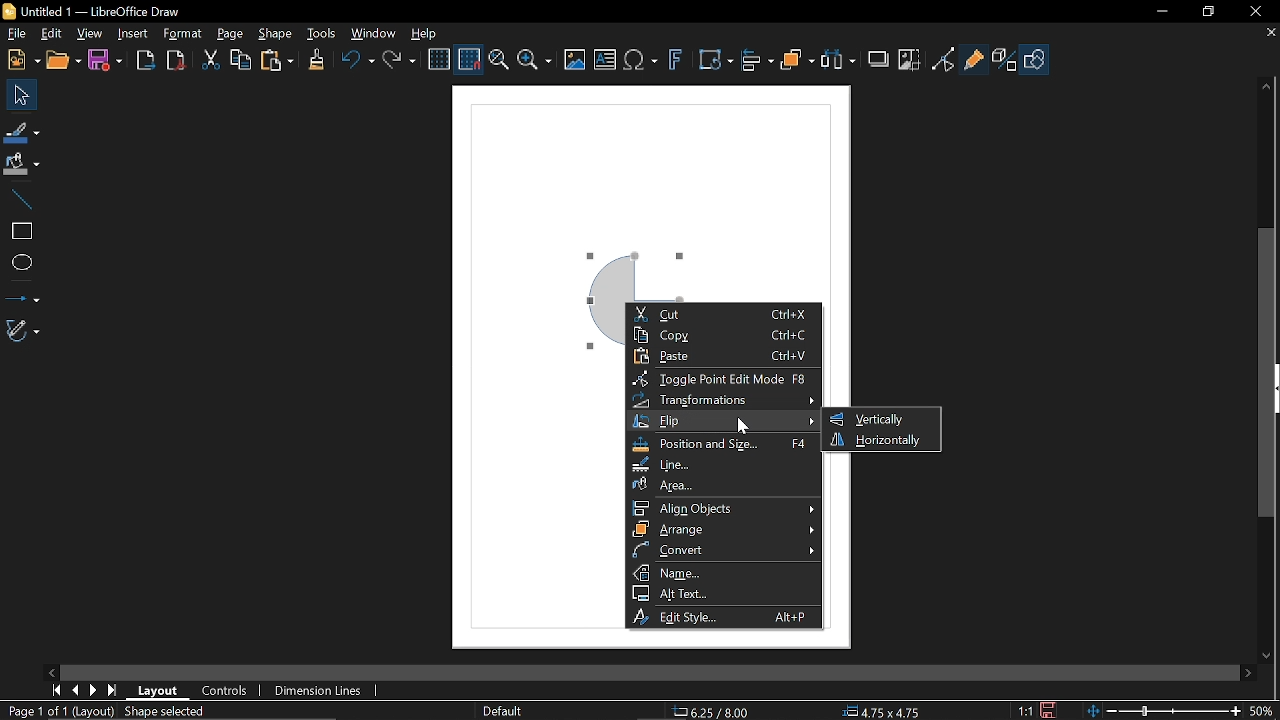 Image resolution: width=1280 pixels, height=720 pixels. What do you see at coordinates (75, 689) in the screenshot?
I see `Previous page` at bounding box center [75, 689].